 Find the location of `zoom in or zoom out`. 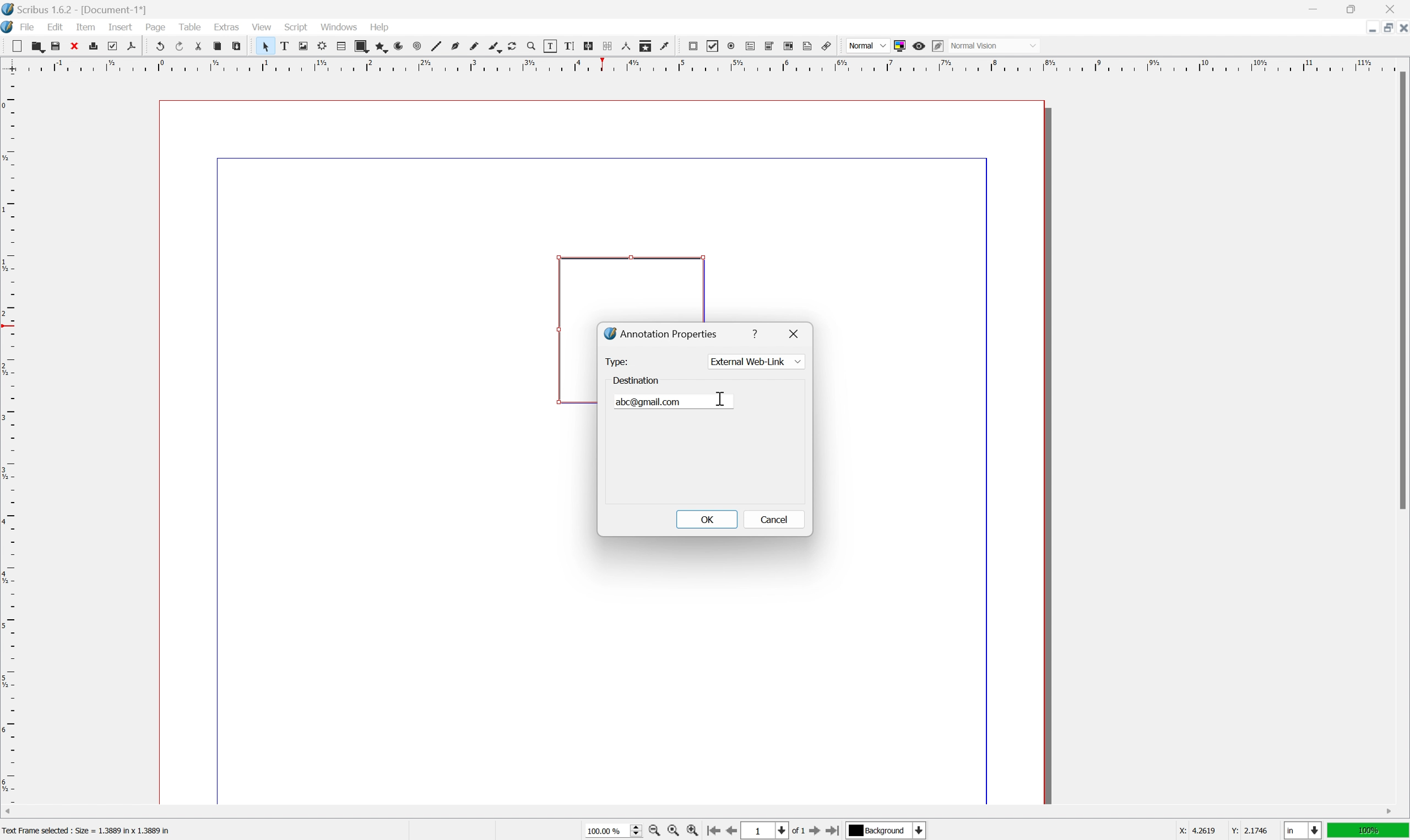

zoom in or zoom out is located at coordinates (532, 46).